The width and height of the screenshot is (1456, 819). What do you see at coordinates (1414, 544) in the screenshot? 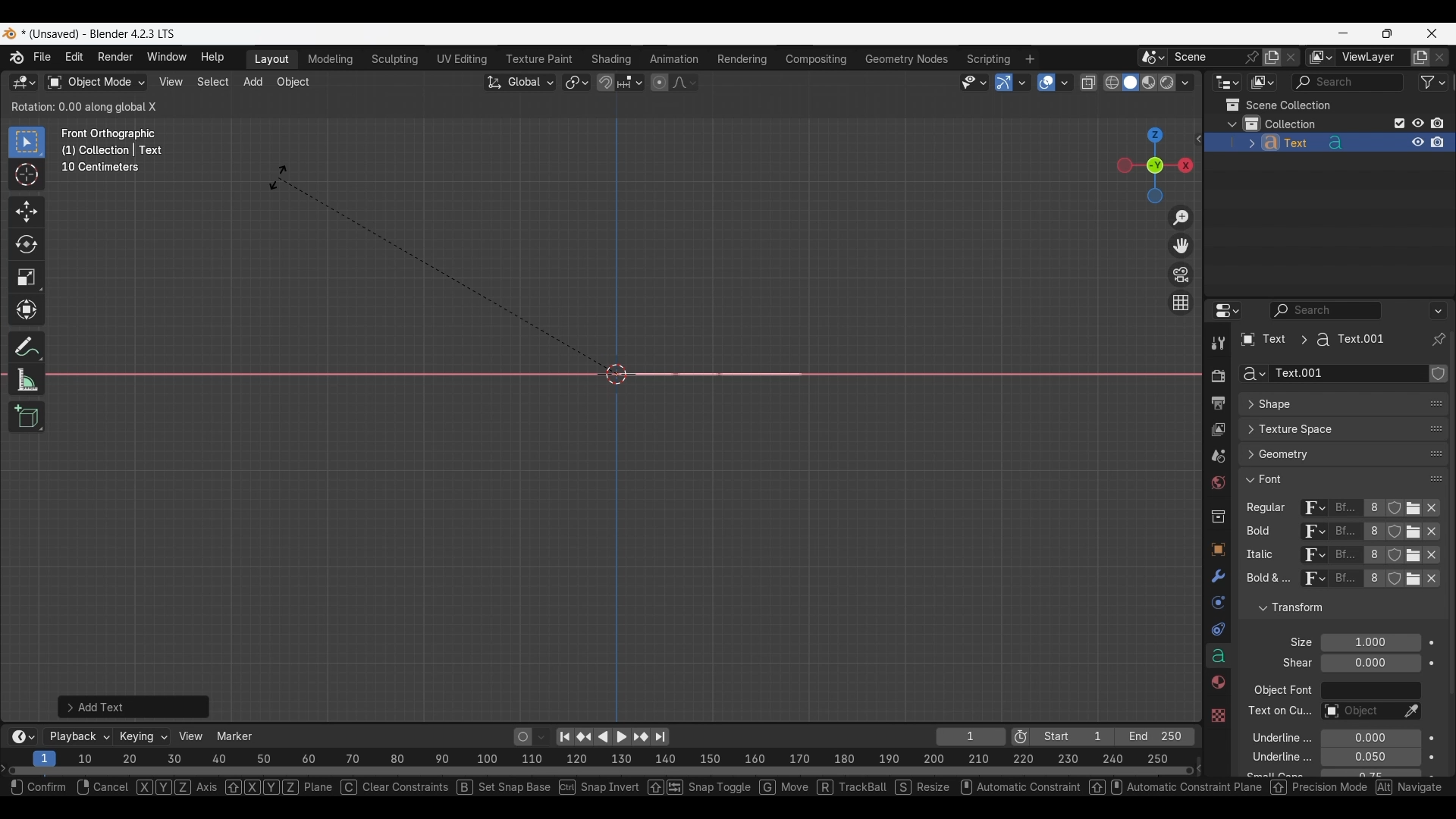
I see `Open Font for respective attribute` at bounding box center [1414, 544].